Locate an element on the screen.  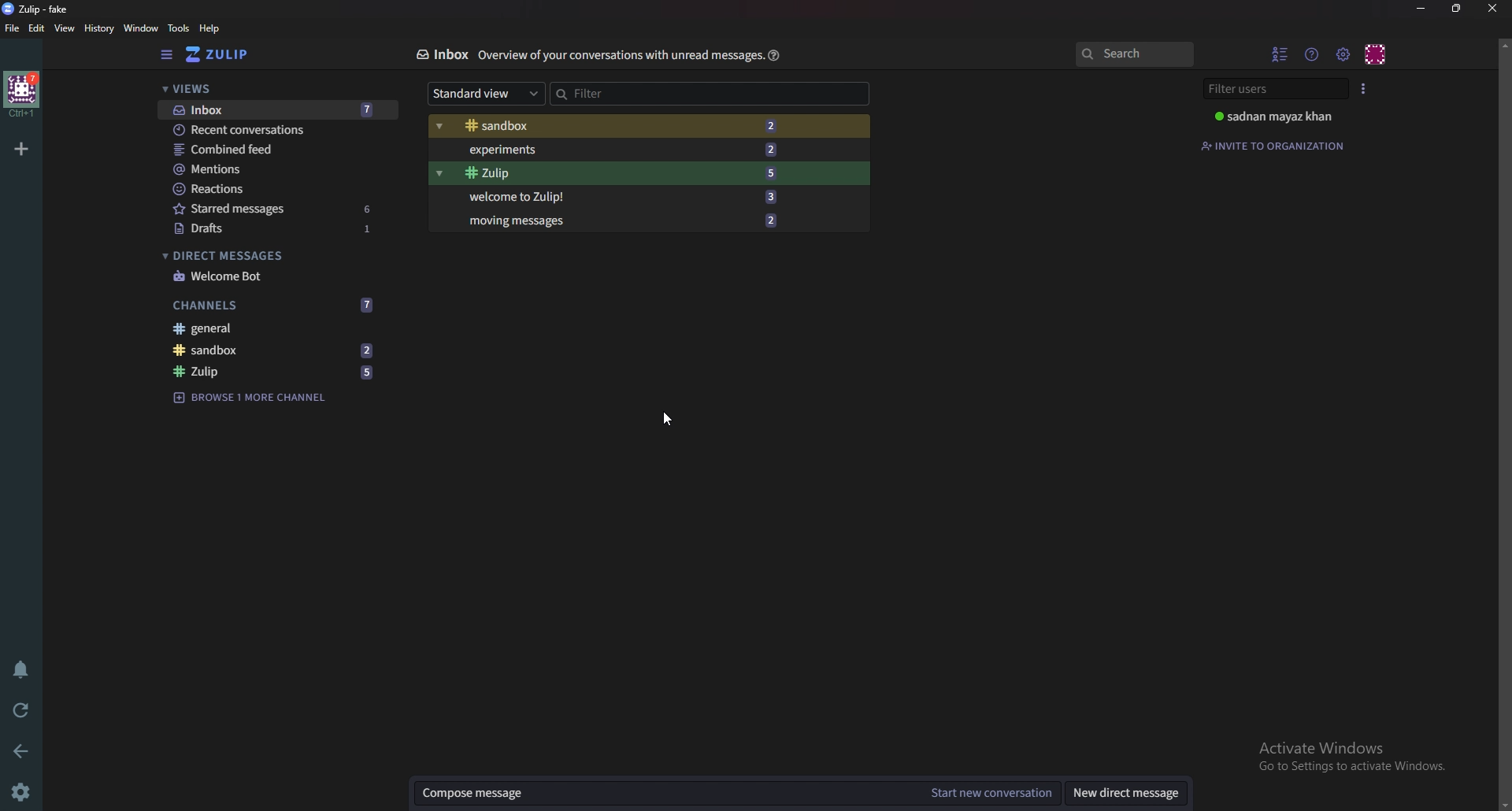
Start new conversation is located at coordinates (991, 791).